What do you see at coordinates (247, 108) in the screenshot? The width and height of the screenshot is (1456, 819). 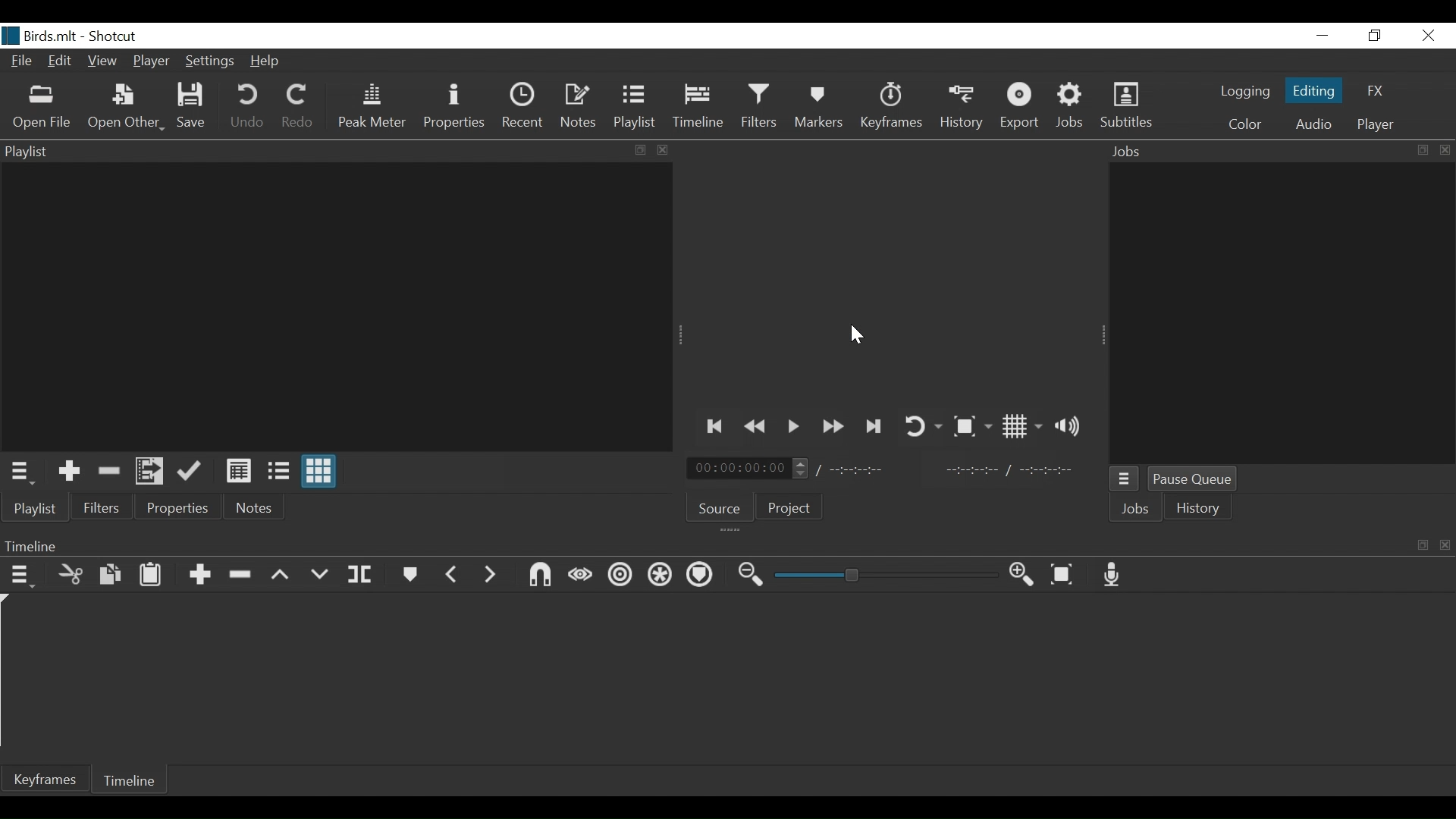 I see `Undo` at bounding box center [247, 108].